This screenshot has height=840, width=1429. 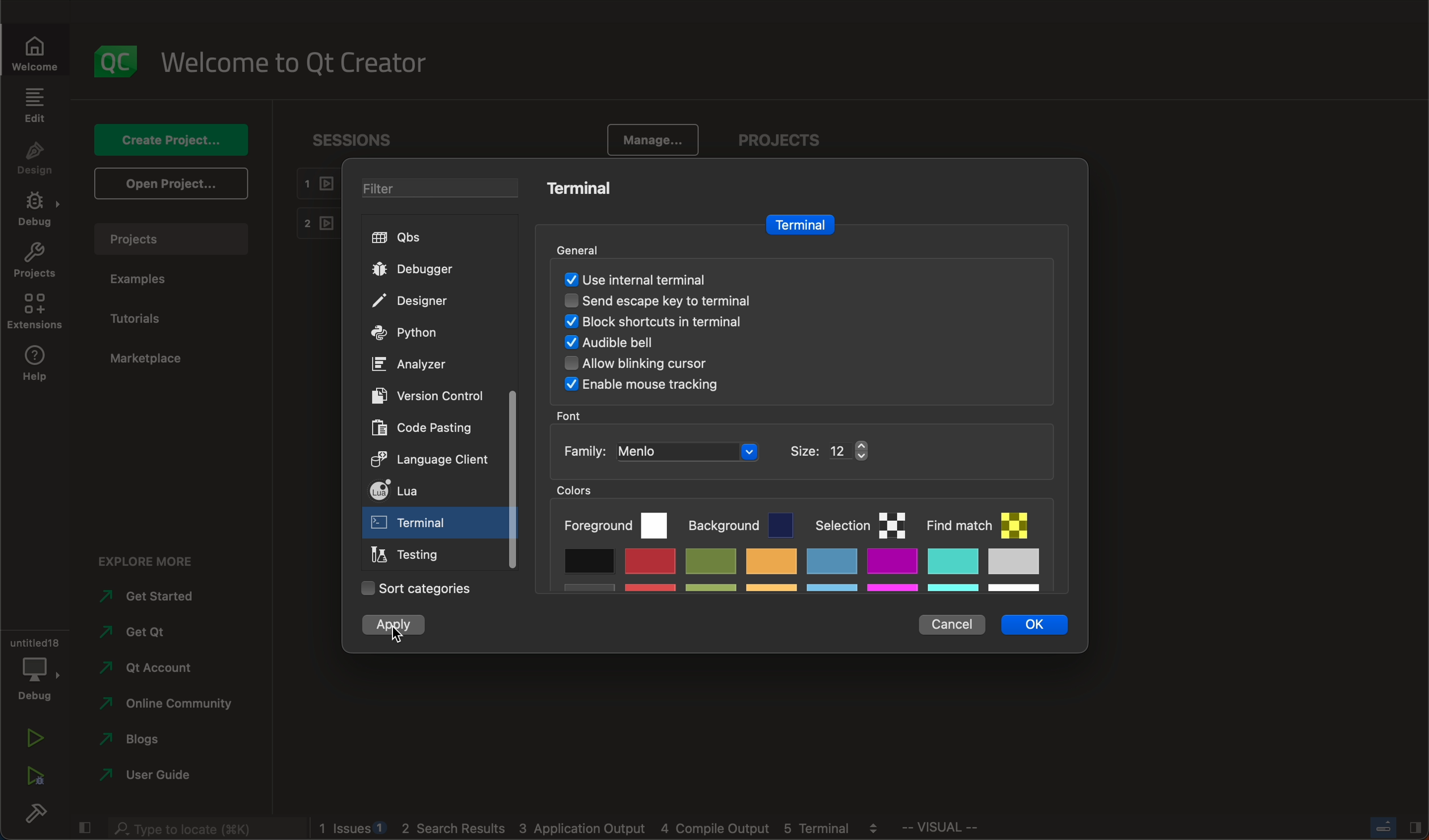 What do you see at coordinates (424, 269) in the screenshot?
I see `debugger` at bounding box center [424, 269].